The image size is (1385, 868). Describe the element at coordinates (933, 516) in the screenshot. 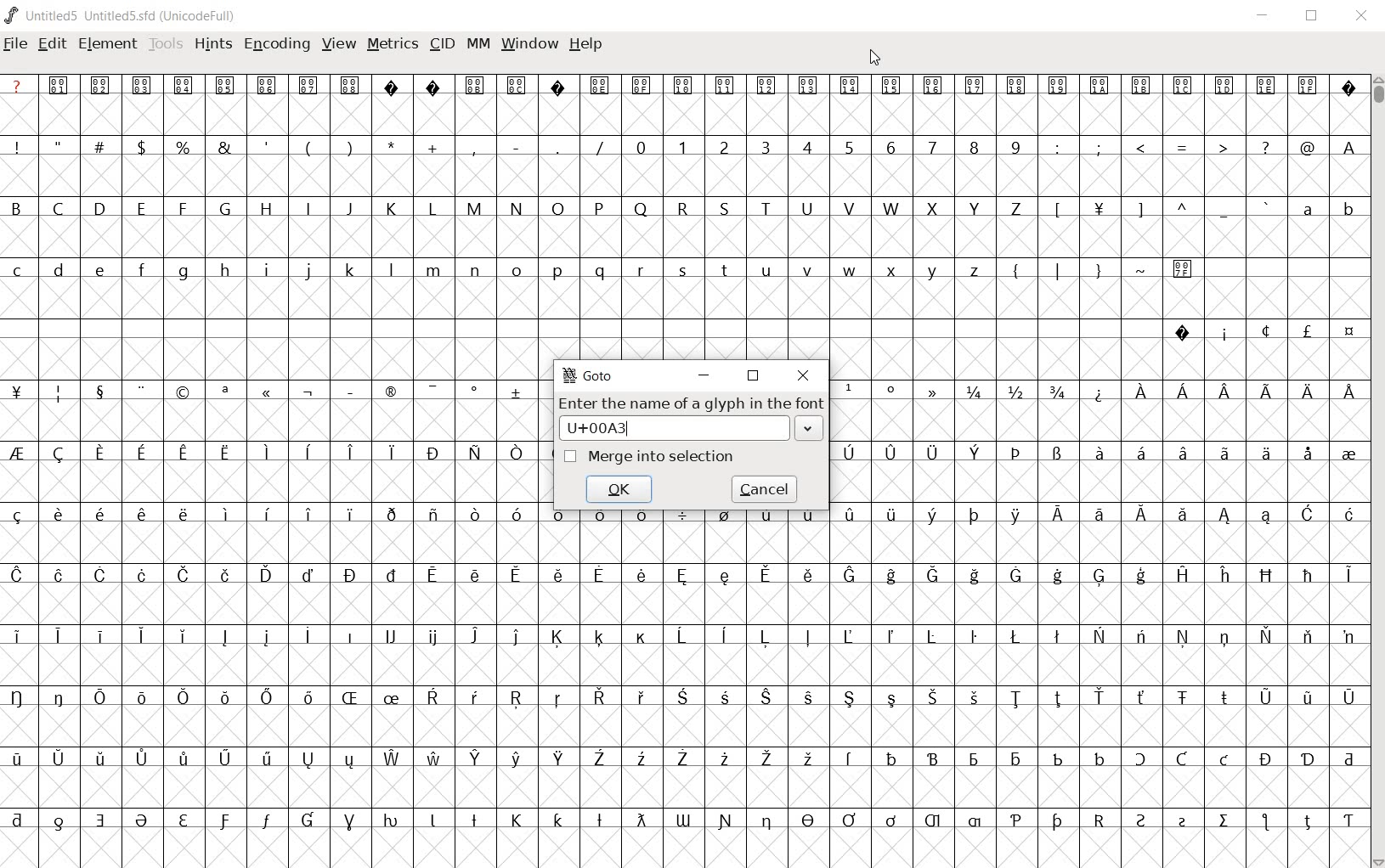

I see `Symbol` at that location.